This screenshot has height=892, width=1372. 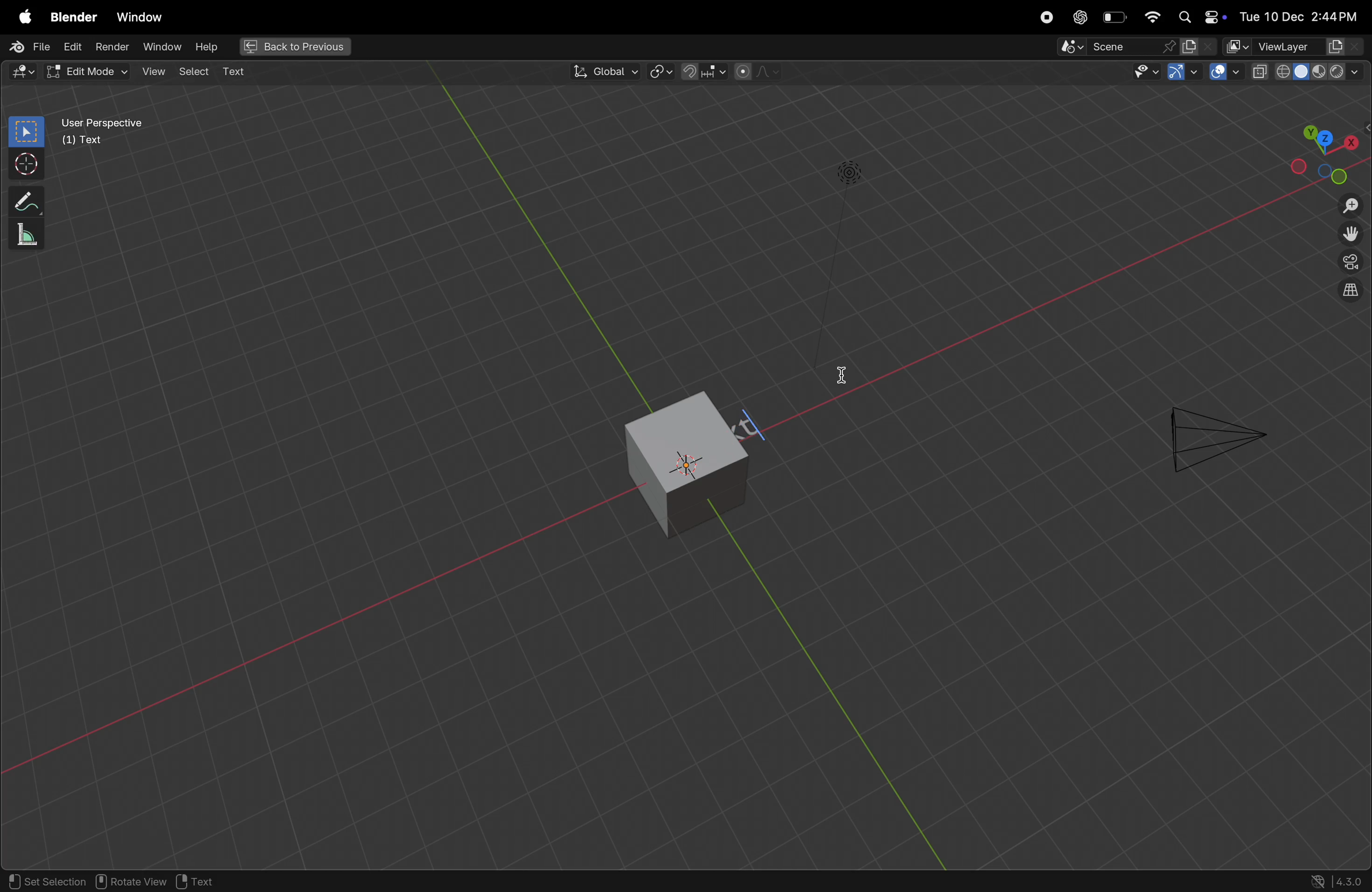 What do you see at coordinates (74, 48) in the screenshot?
I see `edit` at bounding box center [74, 48].